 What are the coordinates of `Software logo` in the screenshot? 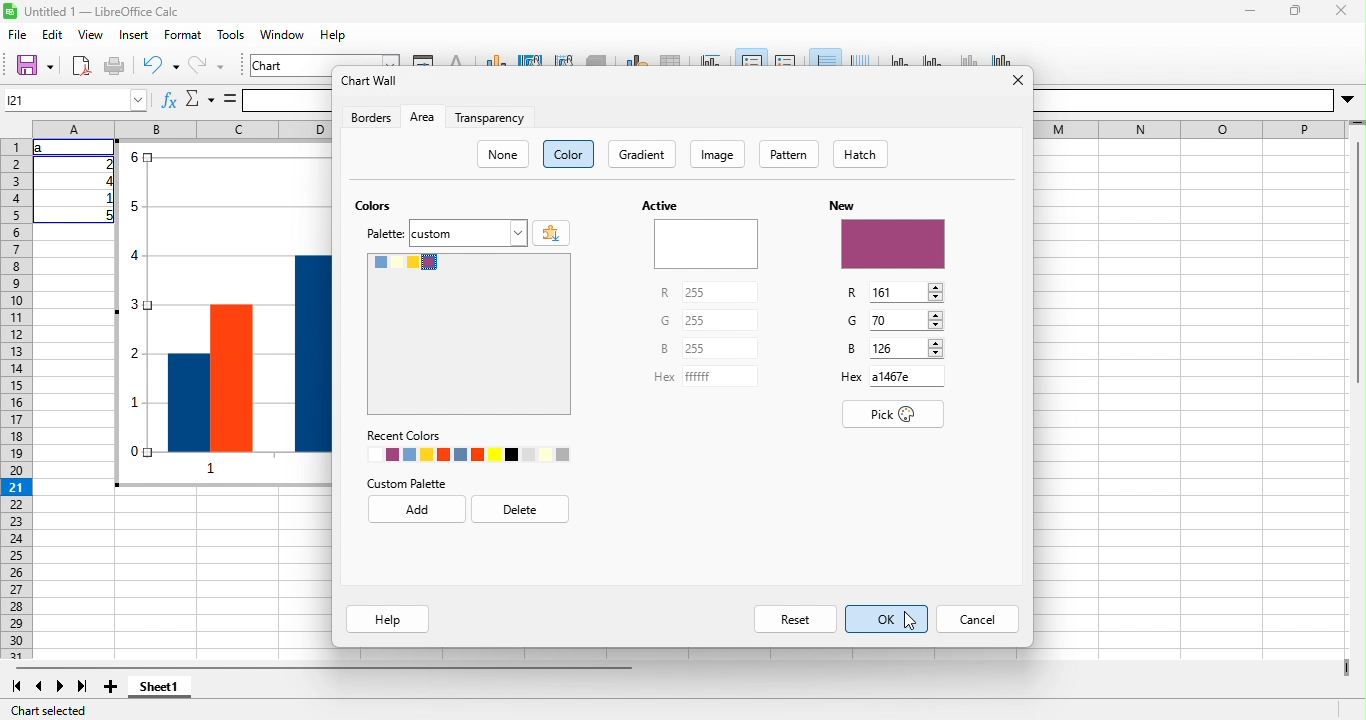 It's located at (10, 11).